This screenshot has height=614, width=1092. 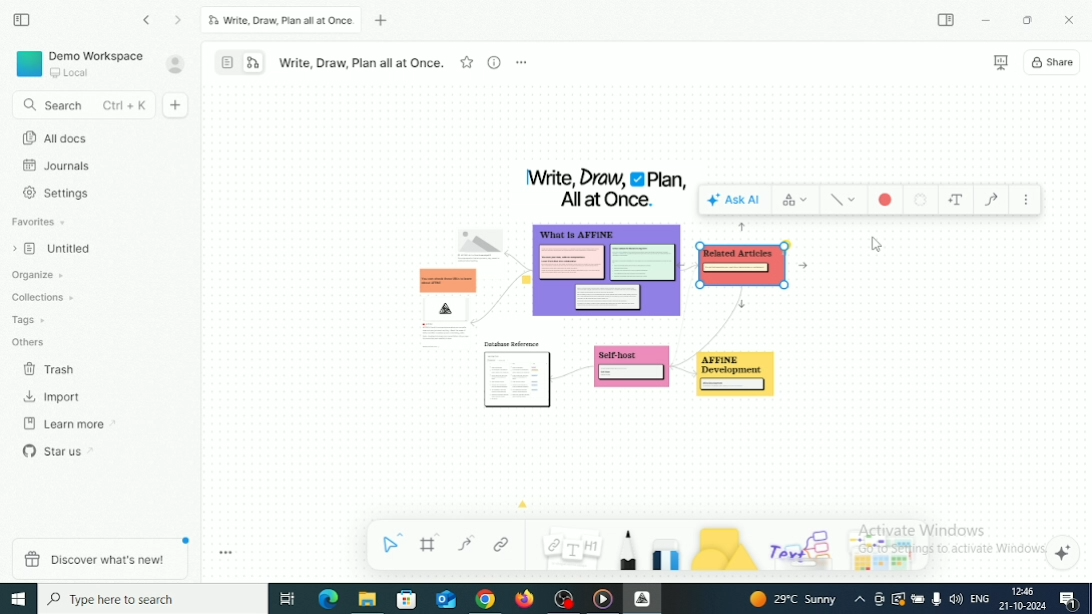 I want to click on Discover what's new!, so click(x=98, y=558).